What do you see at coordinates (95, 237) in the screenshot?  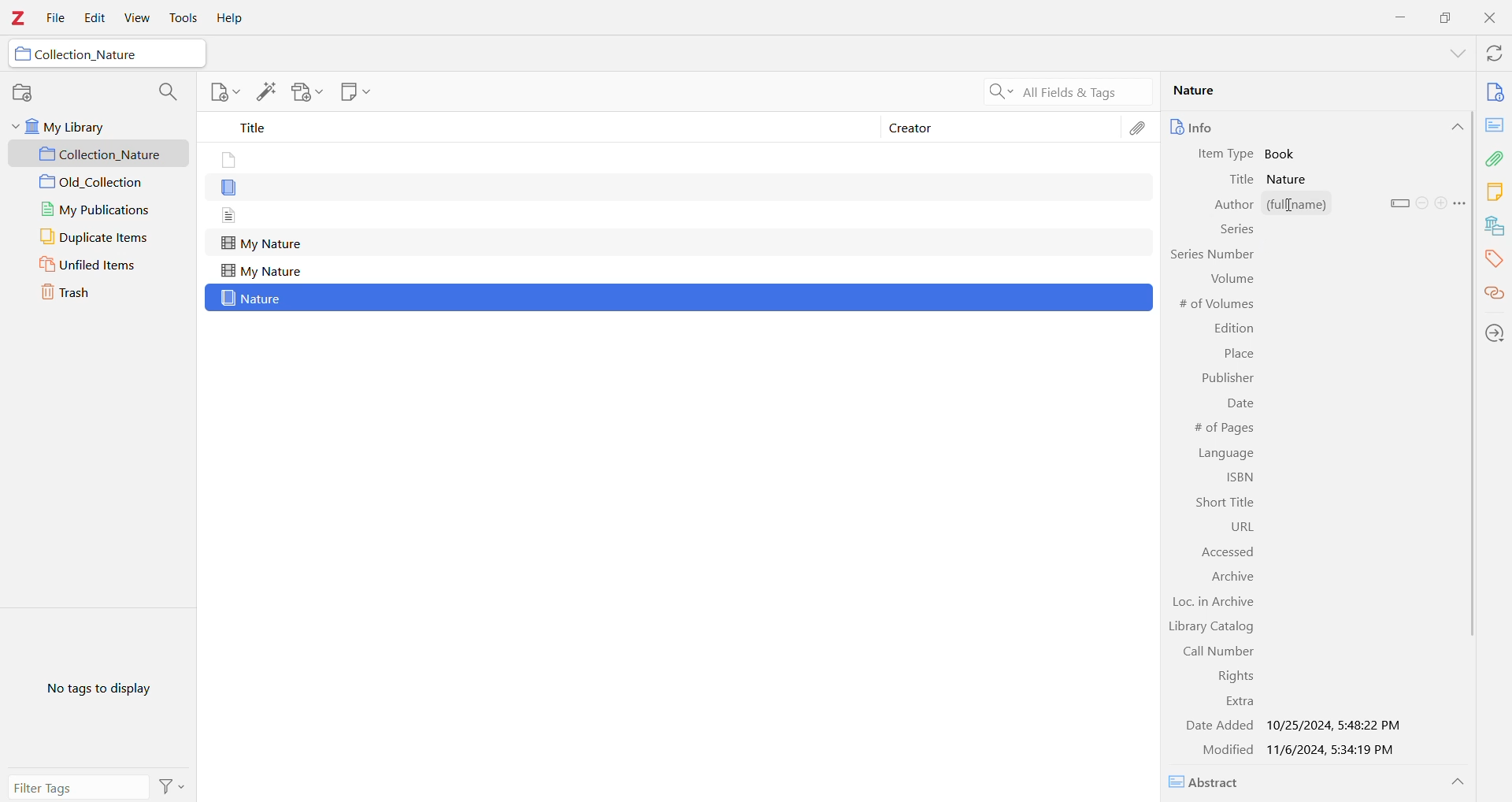 I see `Duplicate Items` at bounding box center [95, 237].